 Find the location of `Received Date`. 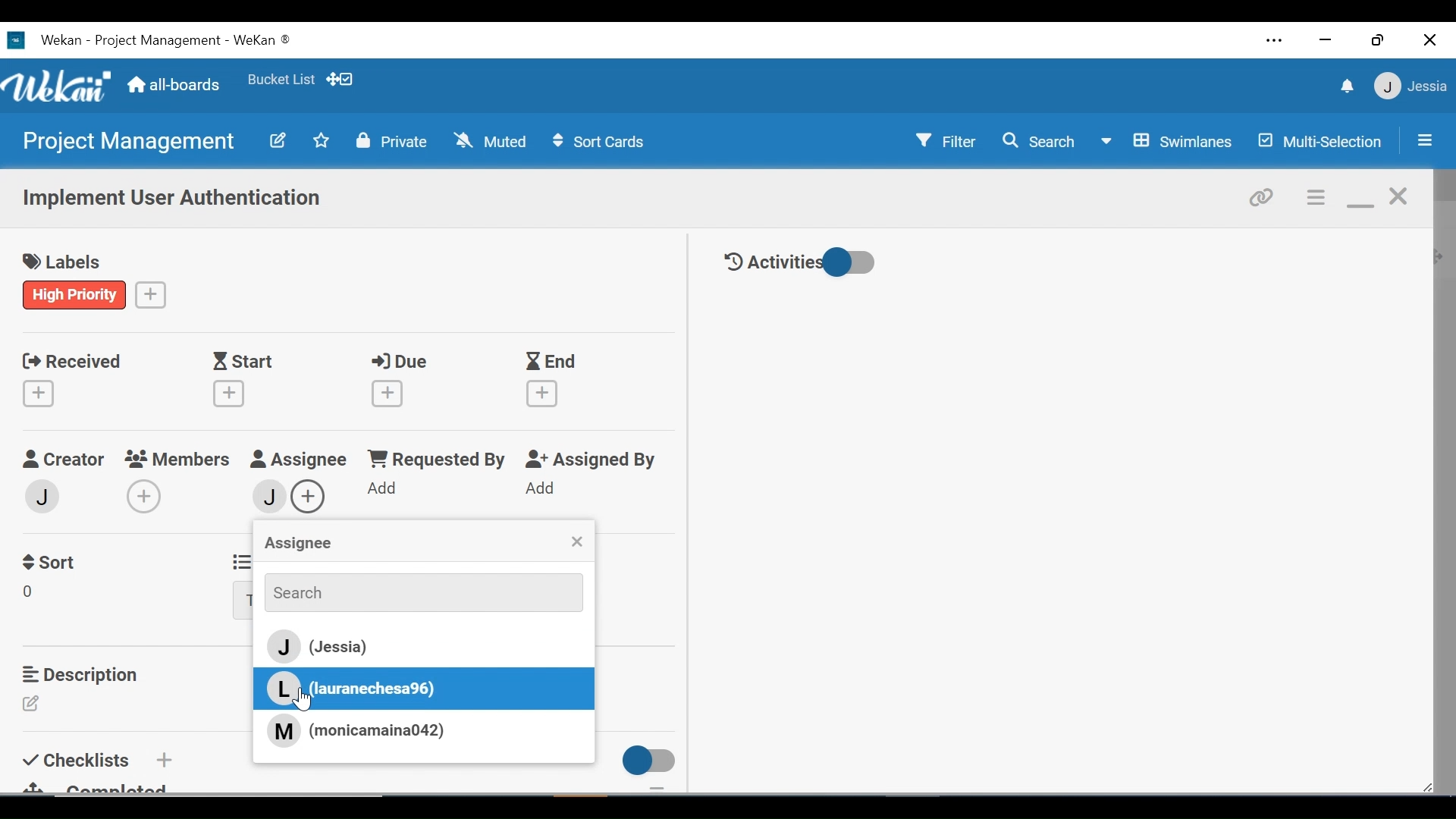

Received Date is located at coordinates (71, 359).